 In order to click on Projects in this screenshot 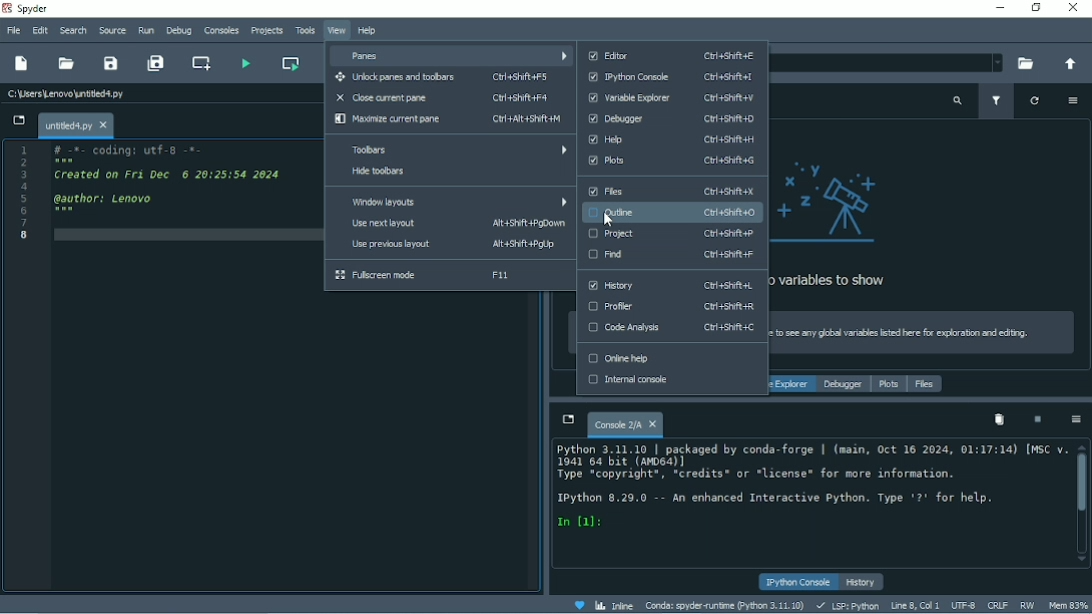, I will do `click(267, 31)`.